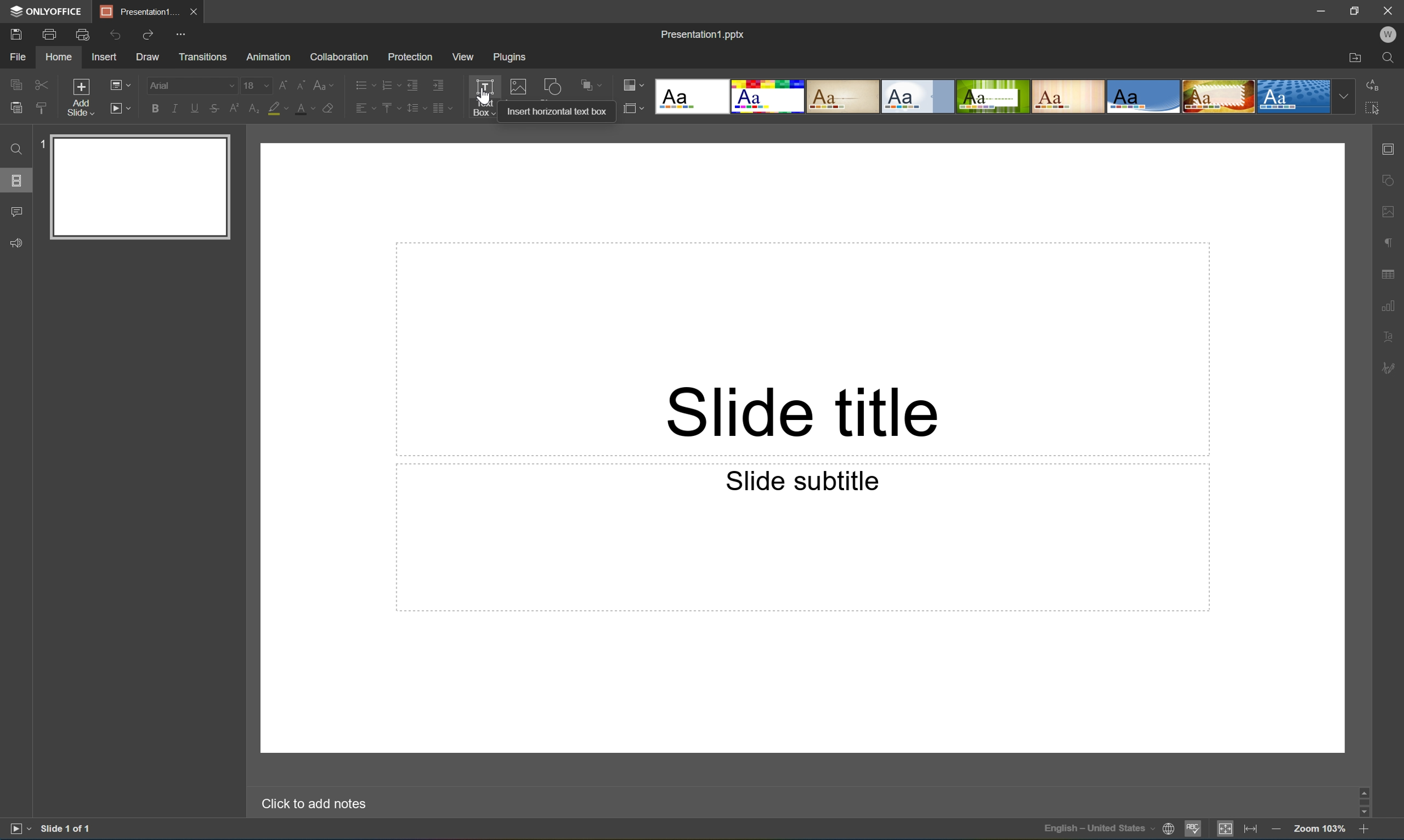 The image size is (1404, 840). What do you see at coordinates (1099, 830) in the screenshot?
I see `English - United States` at bounding box center [1099, 830].